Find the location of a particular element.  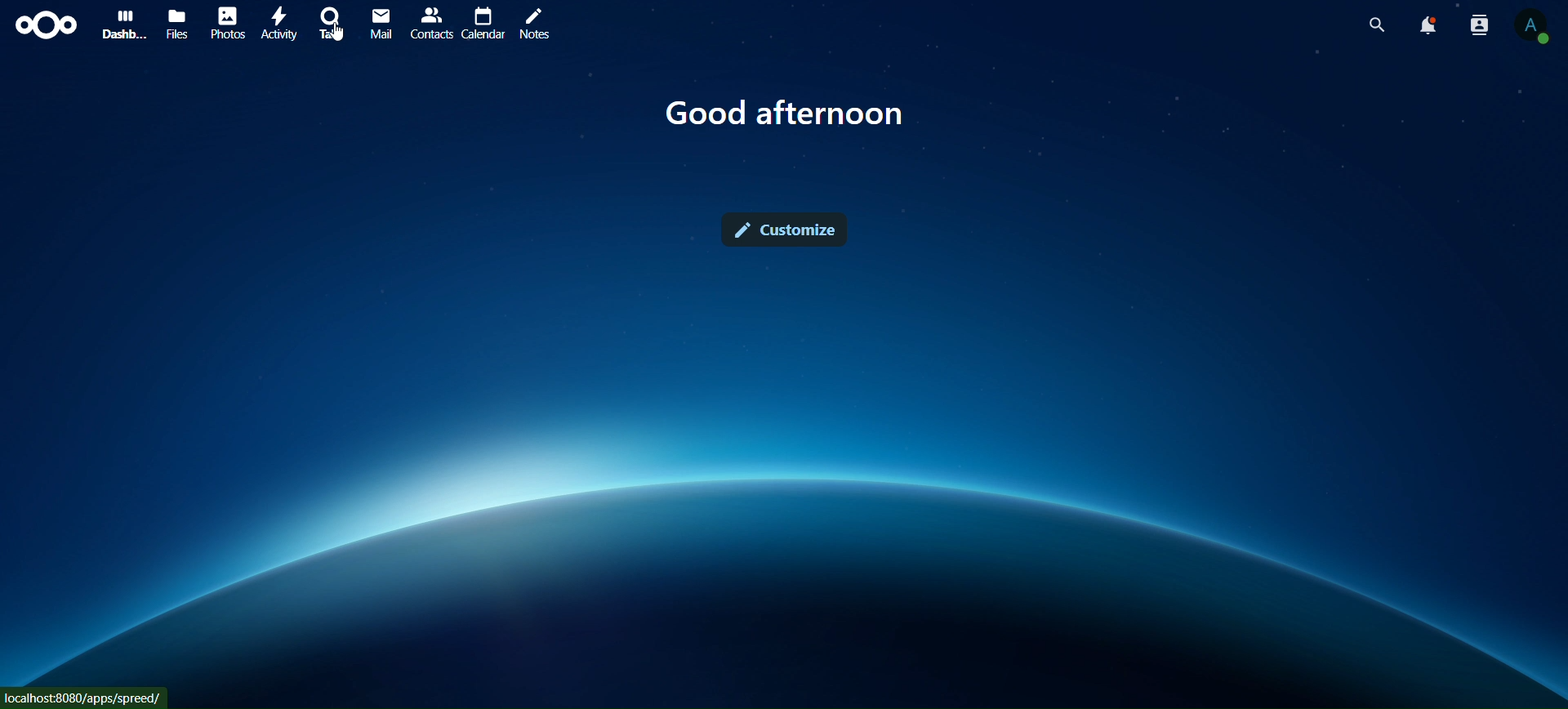

calendar is located at coordinates (482, 23).